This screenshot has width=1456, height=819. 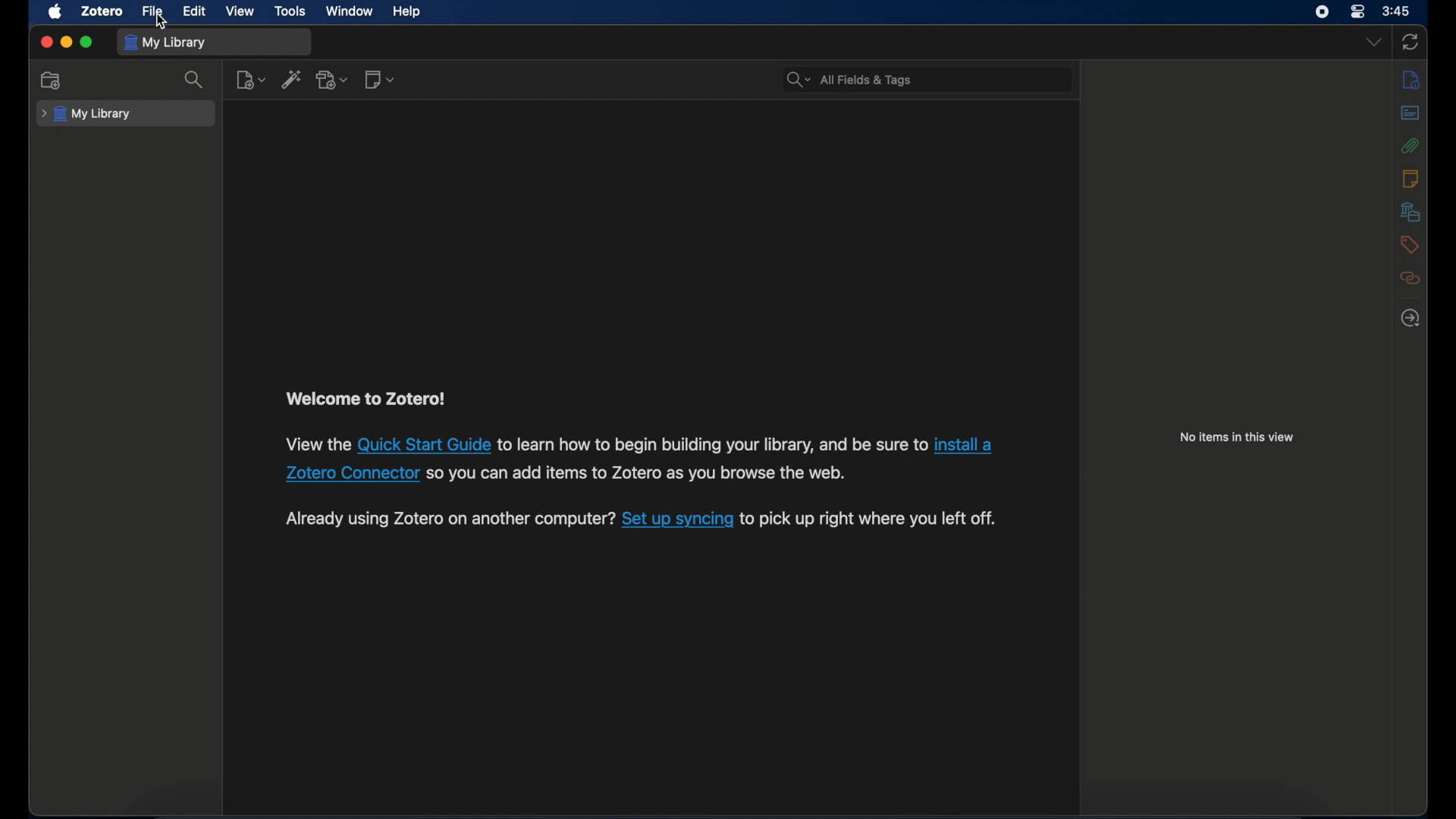 What do you see at coordinates (195, 80) in the screenshot?
I see `search` at bounding box center [195, 80].